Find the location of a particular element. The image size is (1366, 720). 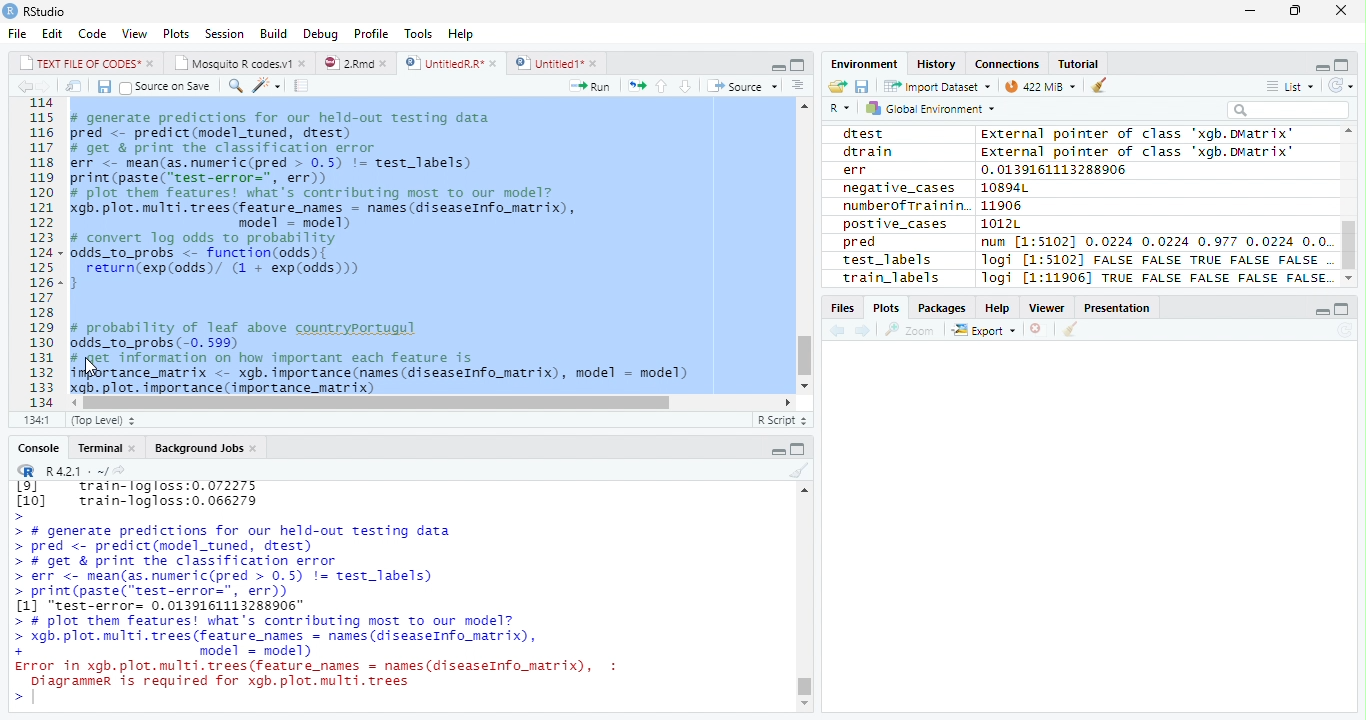

Restore Down is located at coordinates (1294, 11).